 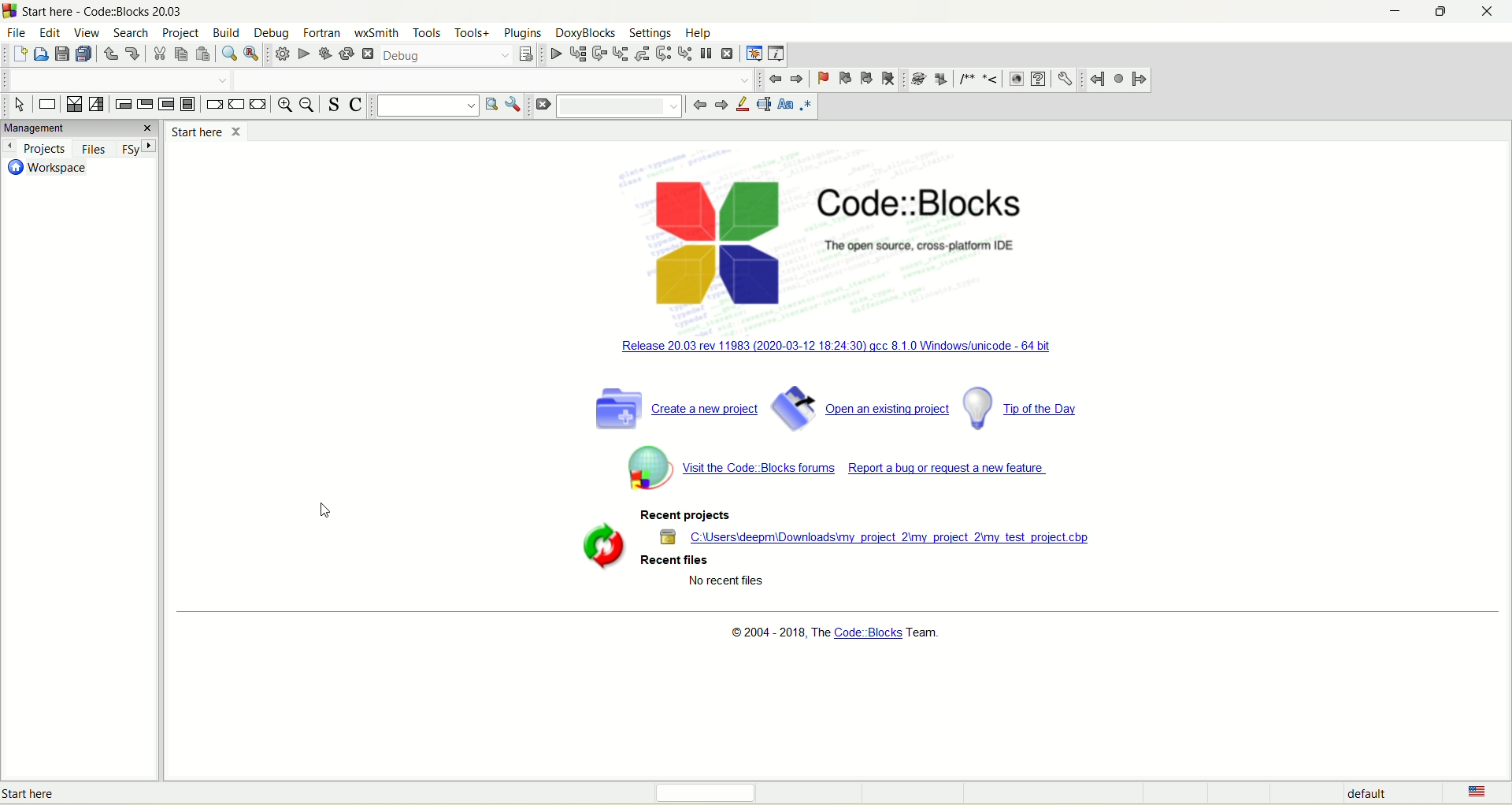 What do you see at coordinates (953, 473) in the screenshot?
I see `report a bug` at bounding box center [953, 473].